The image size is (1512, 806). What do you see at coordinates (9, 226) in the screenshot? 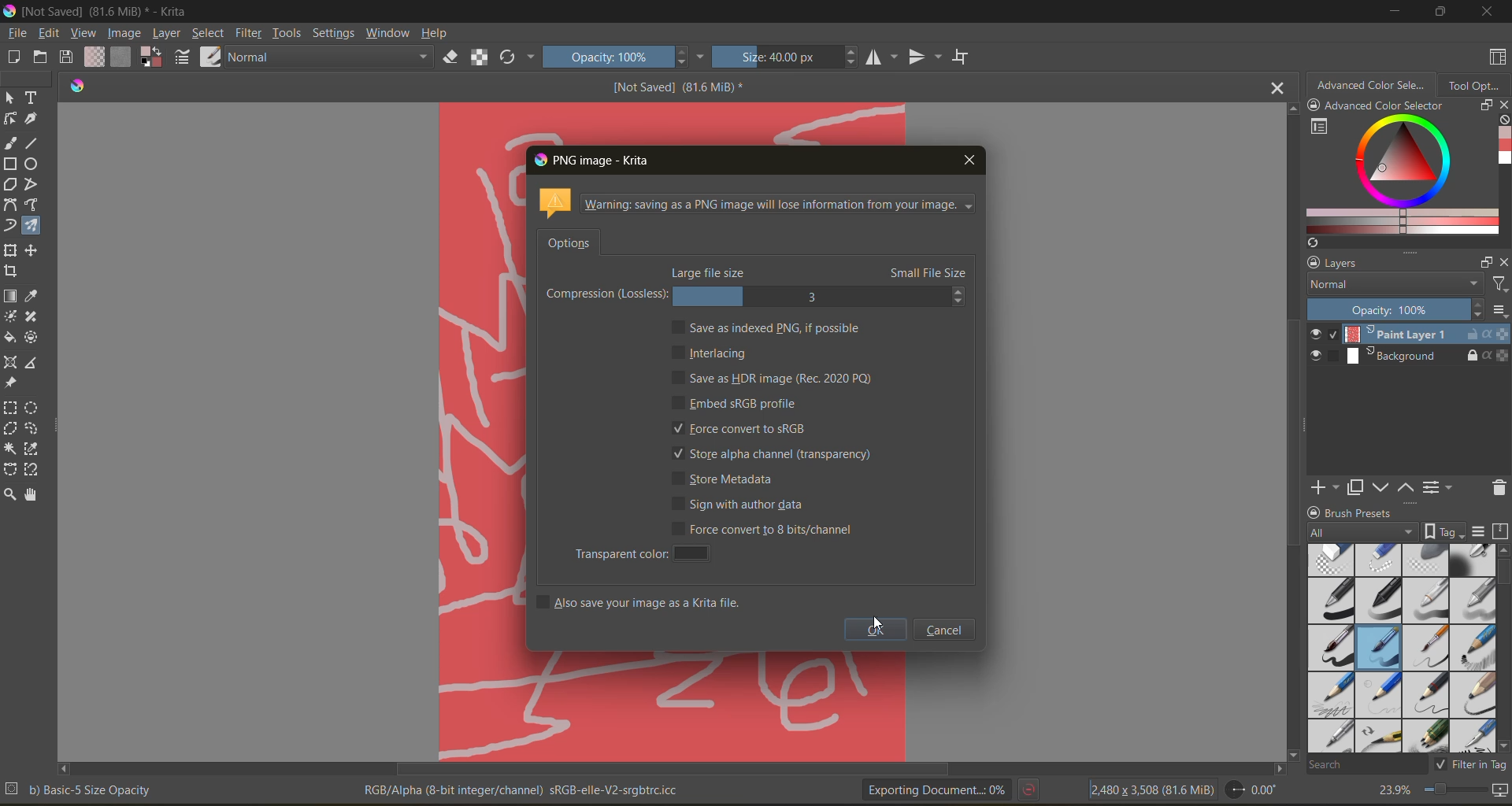
I see `tool` at bounding box center [9, 226].